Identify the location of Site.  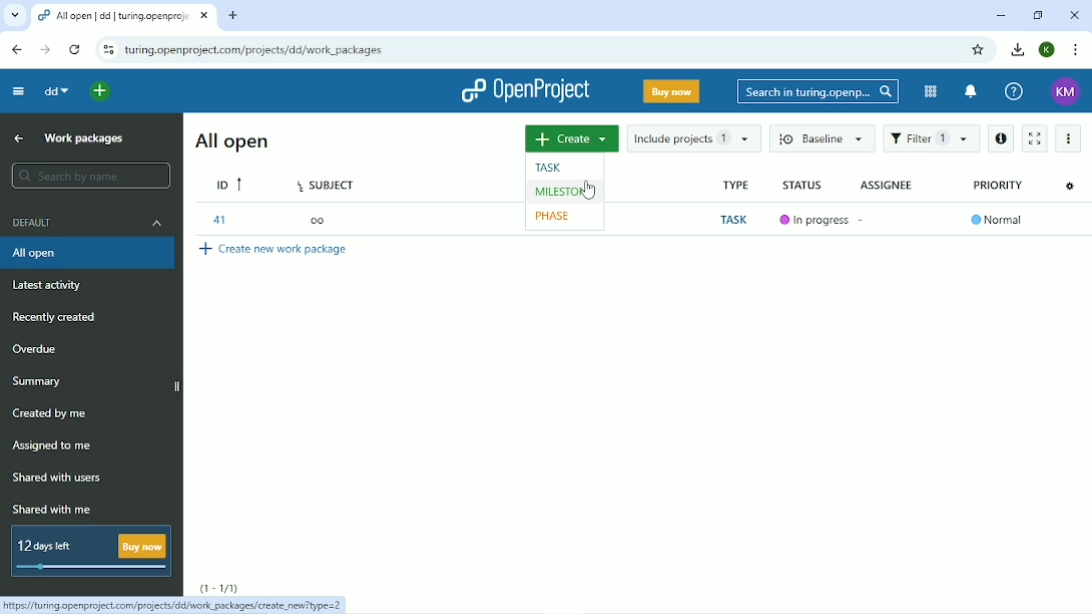
(254, 50).